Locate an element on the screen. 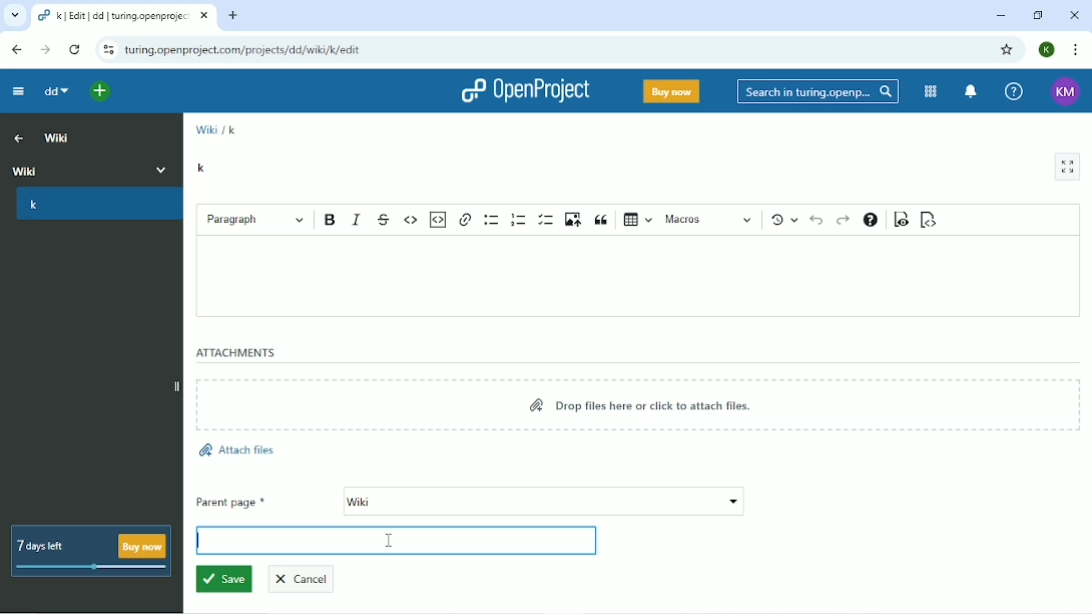  Block quote is located at coordinates (603, 219).